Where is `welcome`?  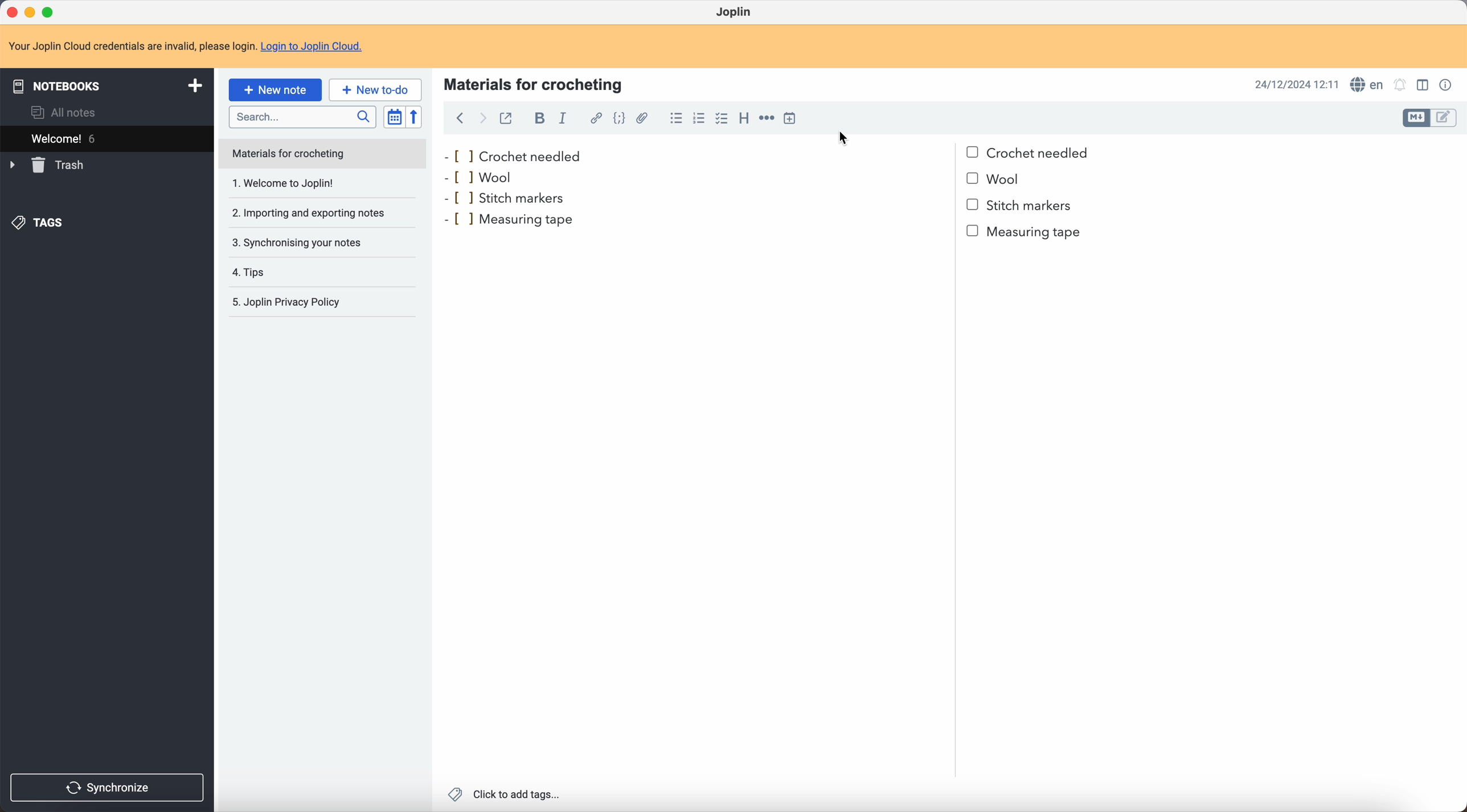 welcome is located at coordinates (106, 137).